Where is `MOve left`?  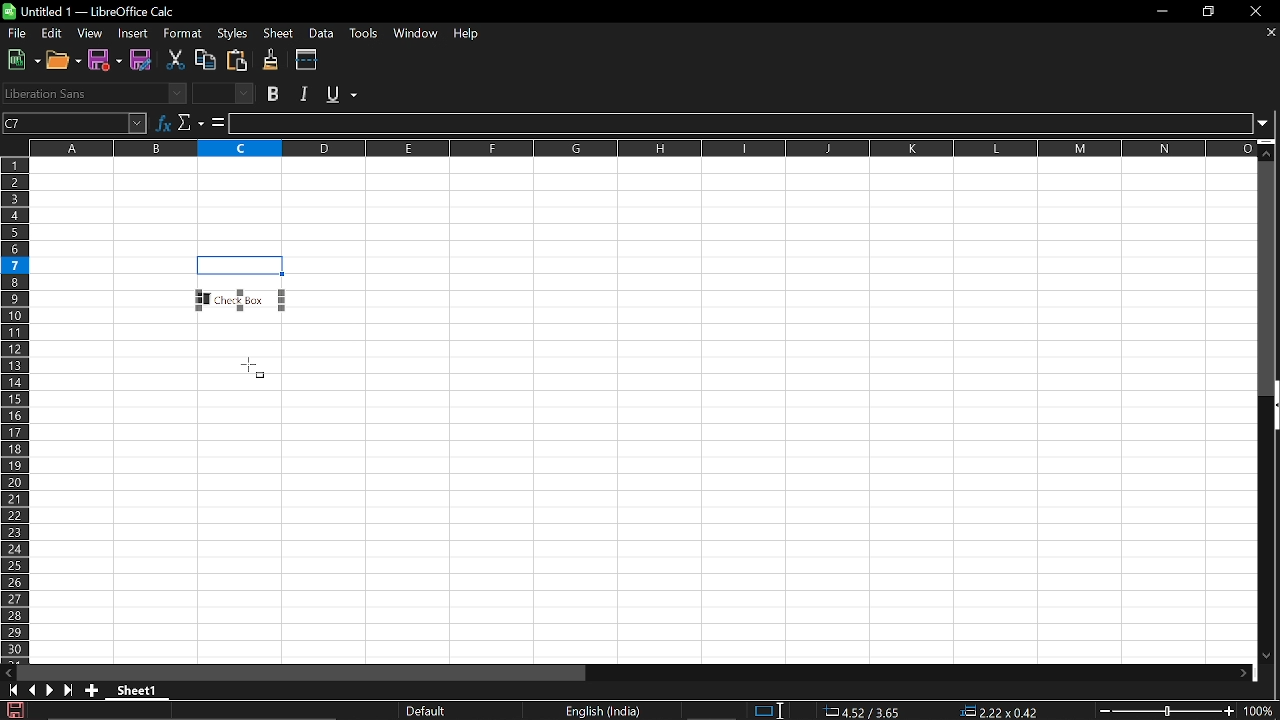
MOve left is located at coordinates (8, 673).